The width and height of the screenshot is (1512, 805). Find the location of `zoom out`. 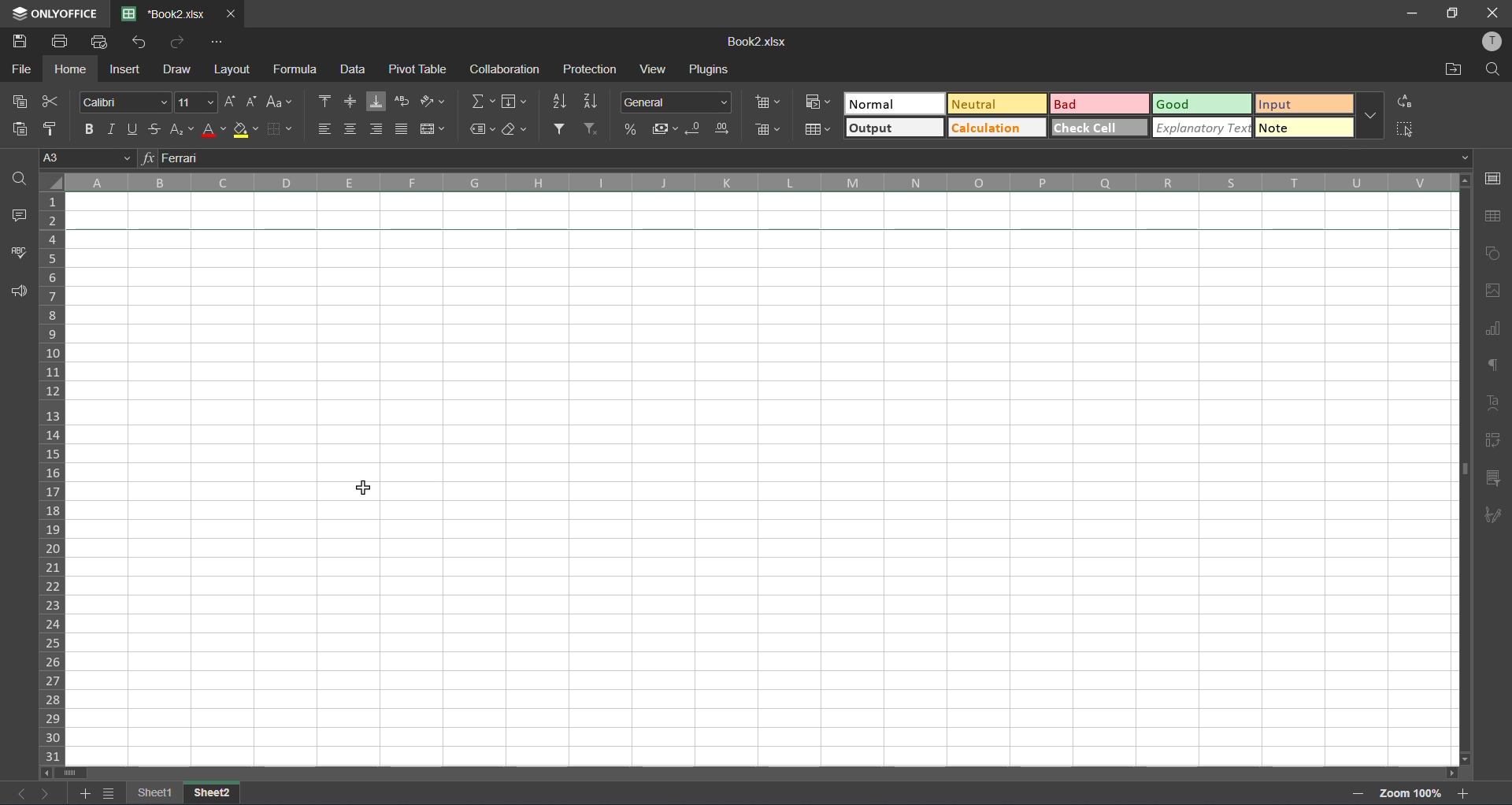

zoom out is located at coordinates (1359, 793).